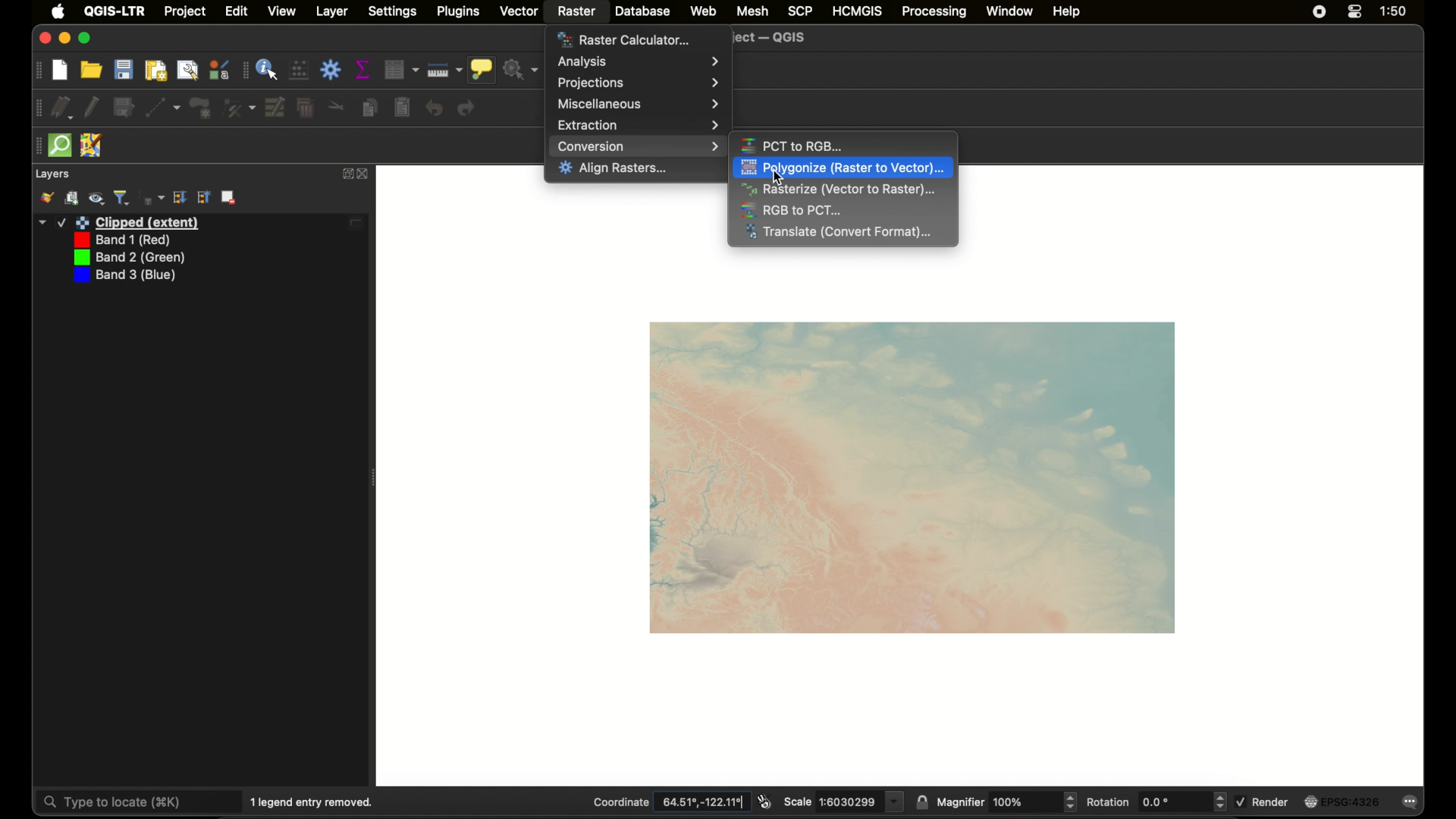  Describe the element at coordinates (520, 11) in the screenshot. I see `vector` at that location.